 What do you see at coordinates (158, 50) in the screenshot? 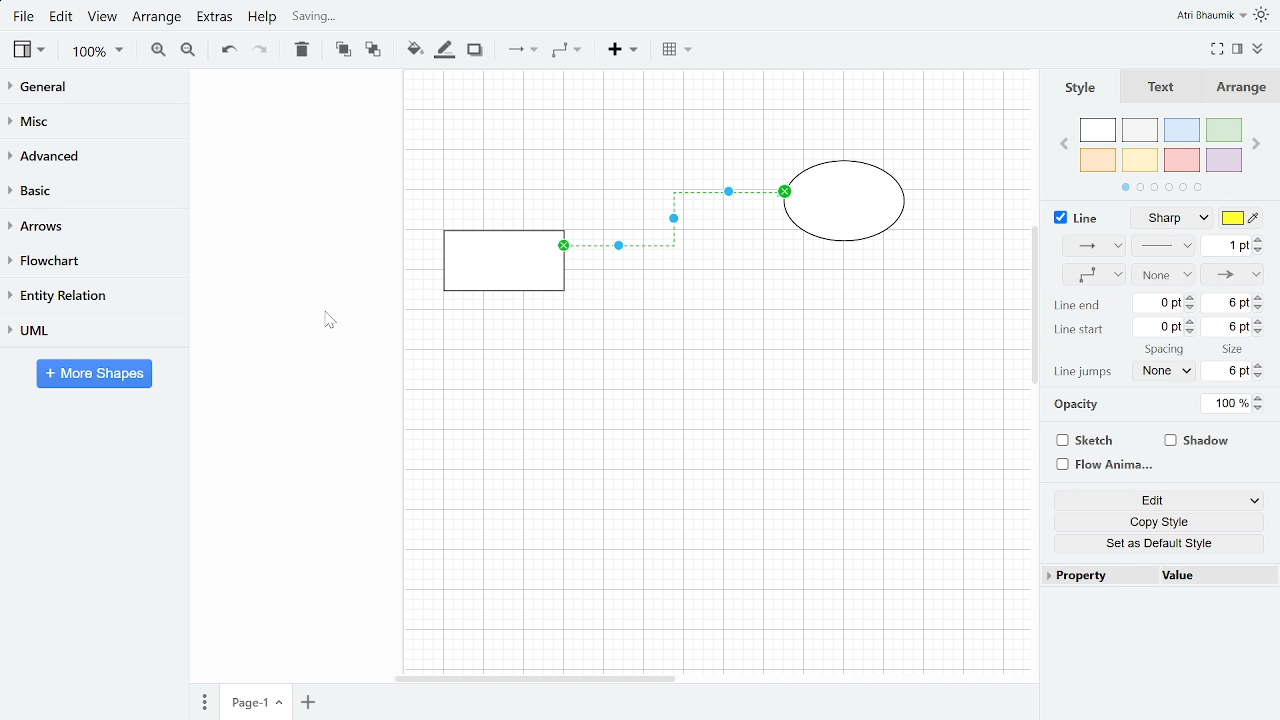
I see `Zoom in` at bounding box center [158, 50].